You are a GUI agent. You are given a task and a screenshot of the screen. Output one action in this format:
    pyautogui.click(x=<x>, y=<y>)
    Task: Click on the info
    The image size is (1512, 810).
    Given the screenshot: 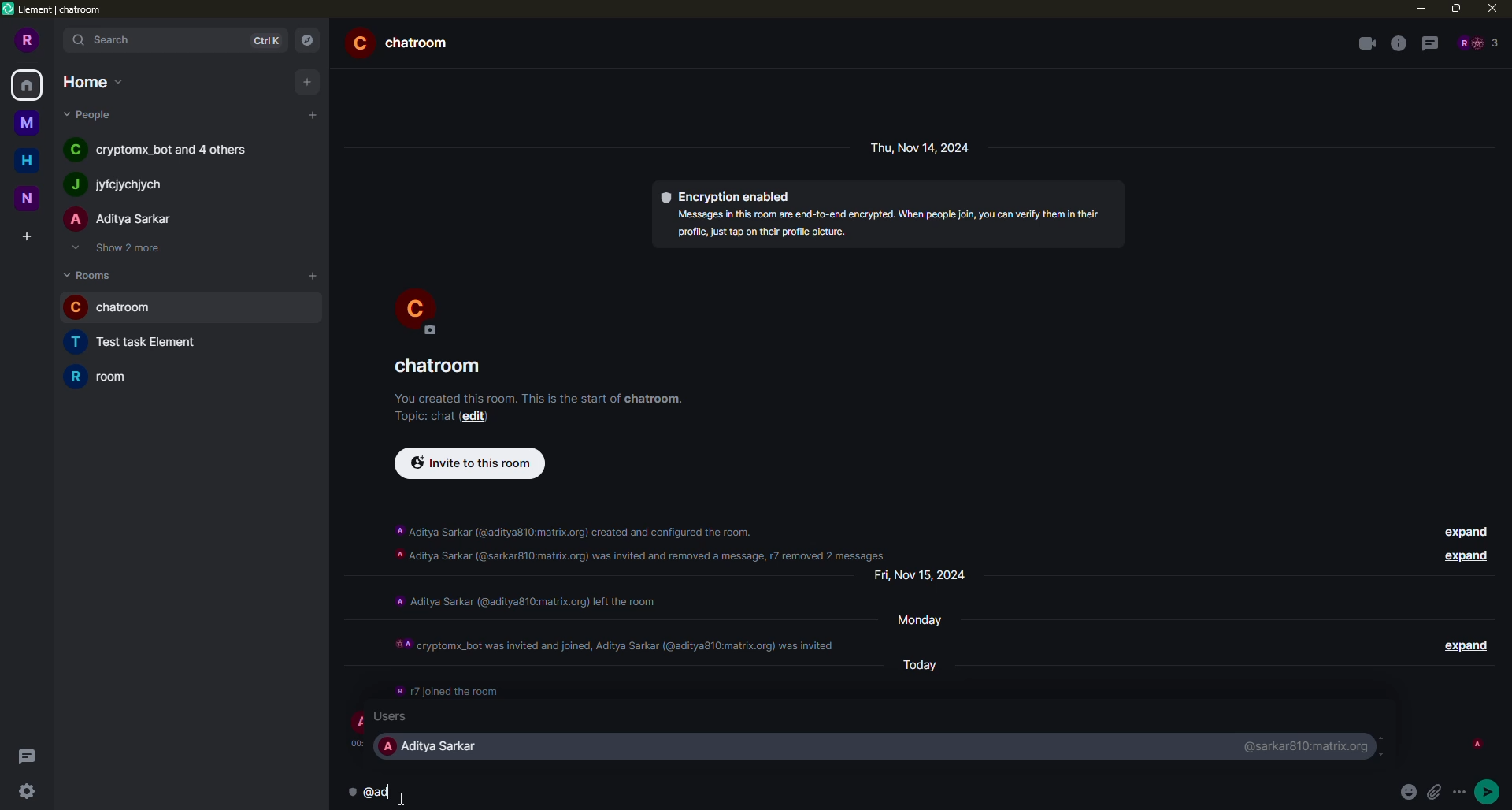 What is the action you would take?
    pyautogui.click(x=524, y=600)
    